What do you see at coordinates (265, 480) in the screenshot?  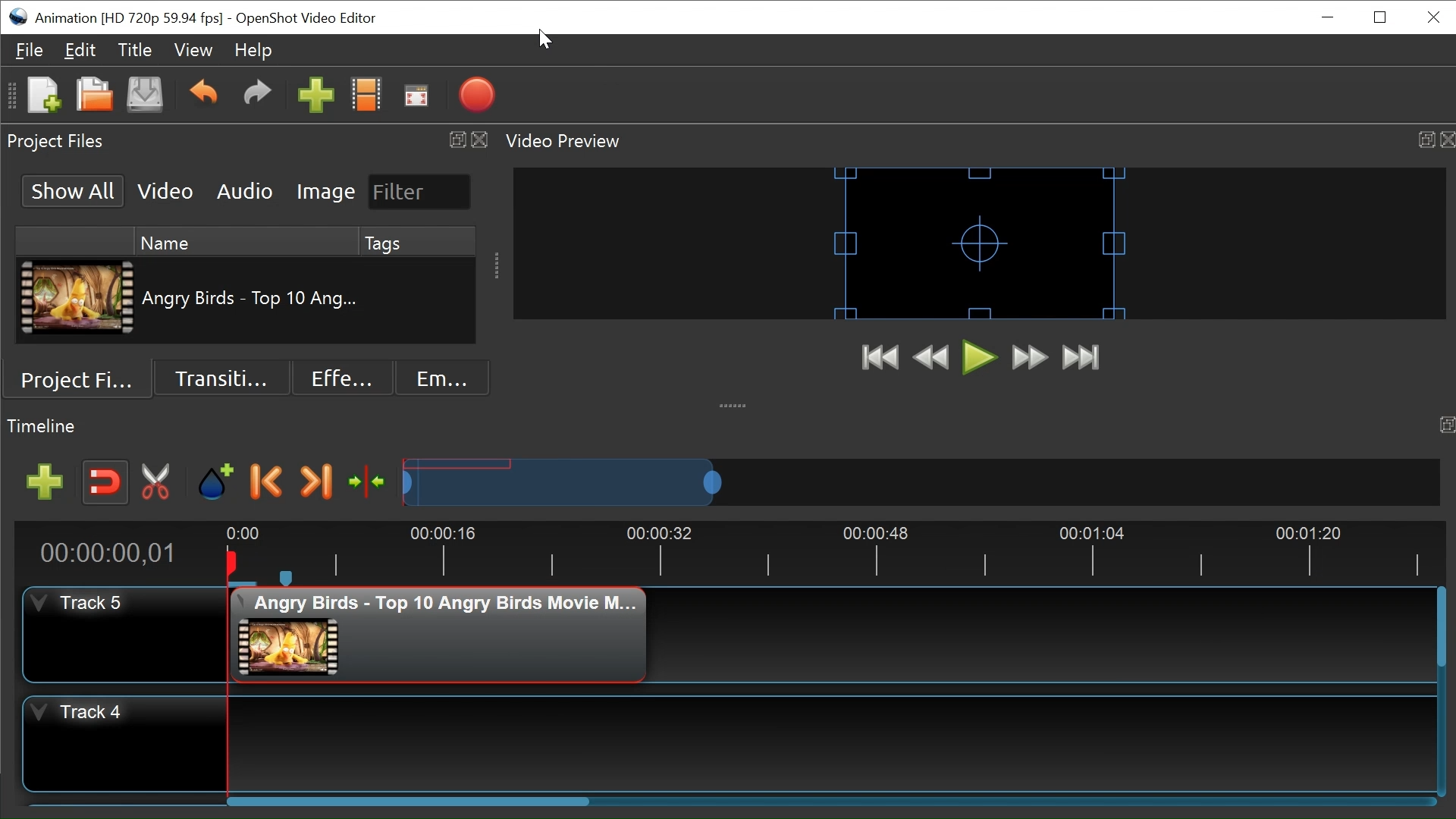 I see `Previous Marker` at bounding box center [265, 480].